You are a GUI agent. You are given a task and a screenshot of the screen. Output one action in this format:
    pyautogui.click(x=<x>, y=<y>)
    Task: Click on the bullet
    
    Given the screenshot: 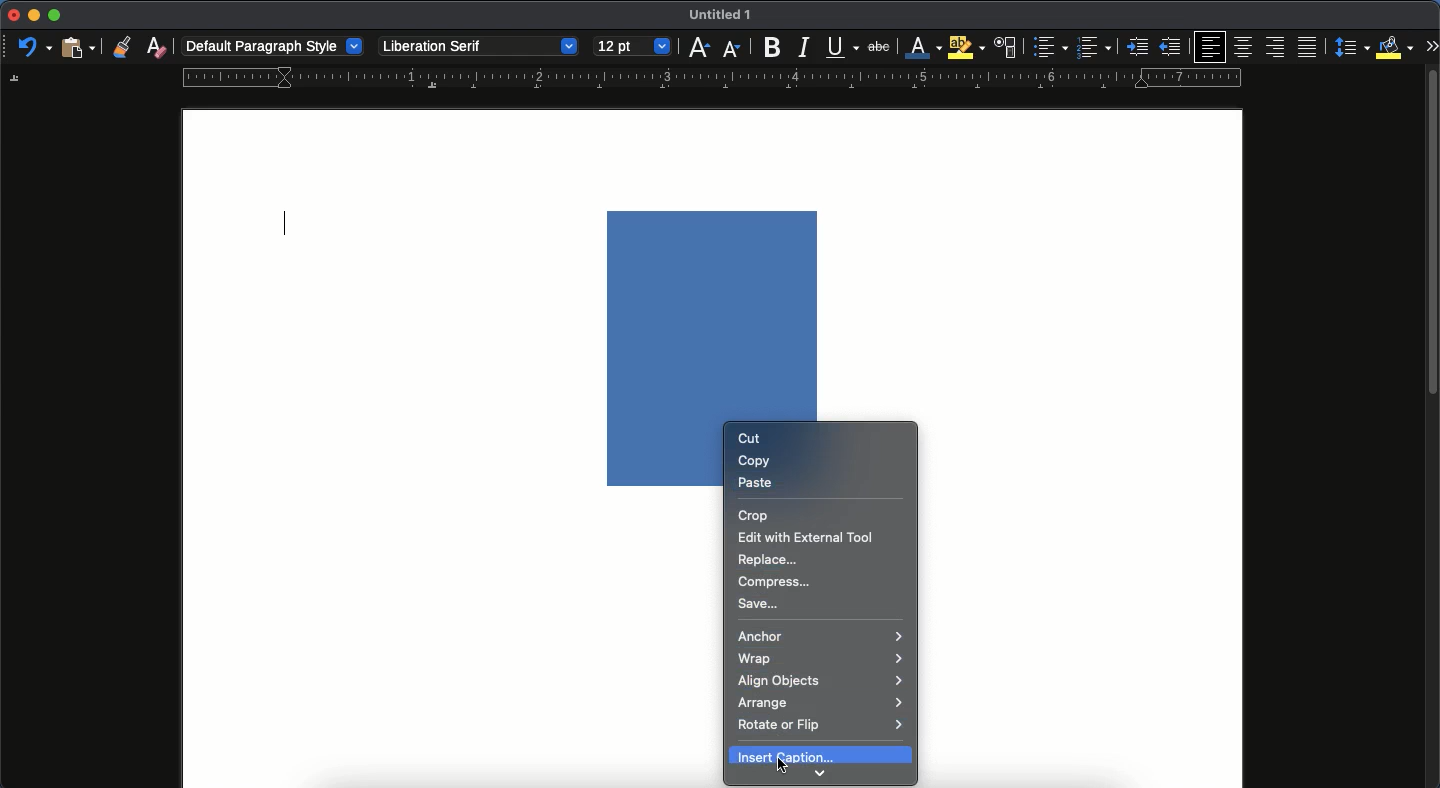 What is the action you would take?
    pyautogui.click(x=1048, y=47)
    